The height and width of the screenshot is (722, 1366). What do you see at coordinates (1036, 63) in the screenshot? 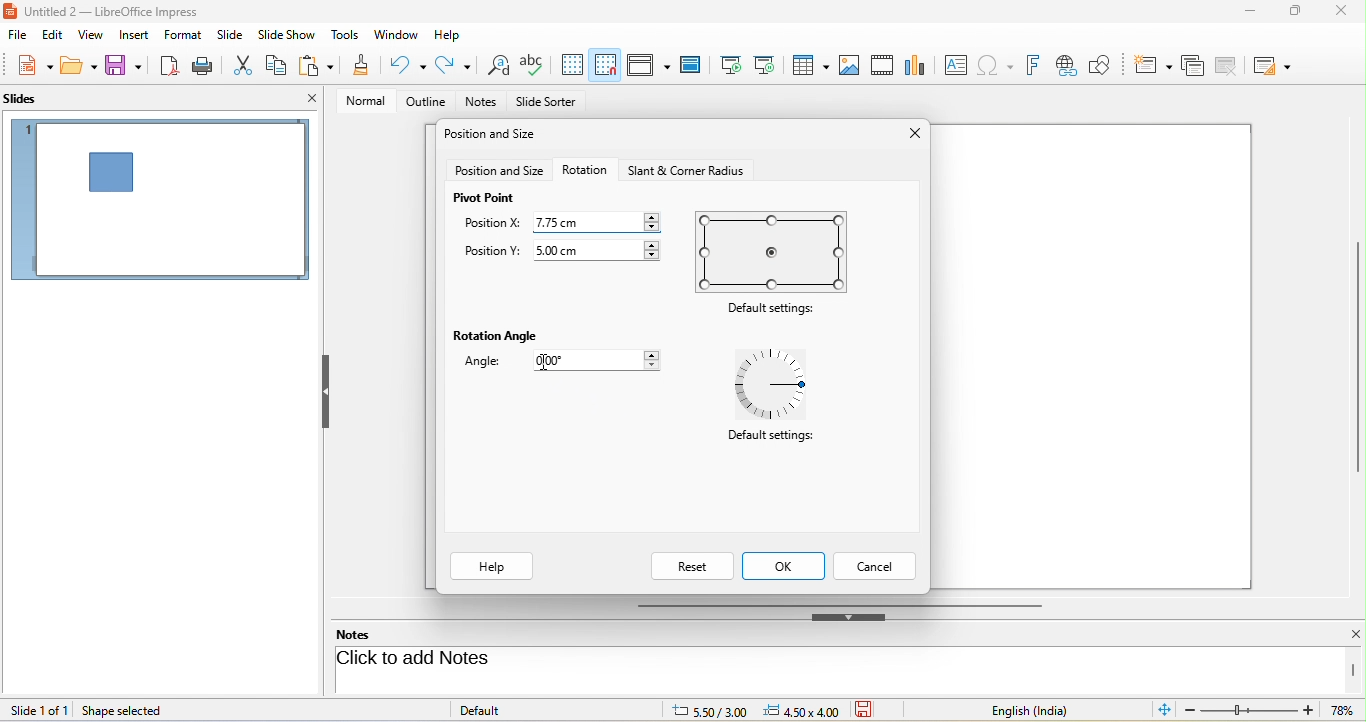
I see `font work text` at bounding box center [1036, 63].